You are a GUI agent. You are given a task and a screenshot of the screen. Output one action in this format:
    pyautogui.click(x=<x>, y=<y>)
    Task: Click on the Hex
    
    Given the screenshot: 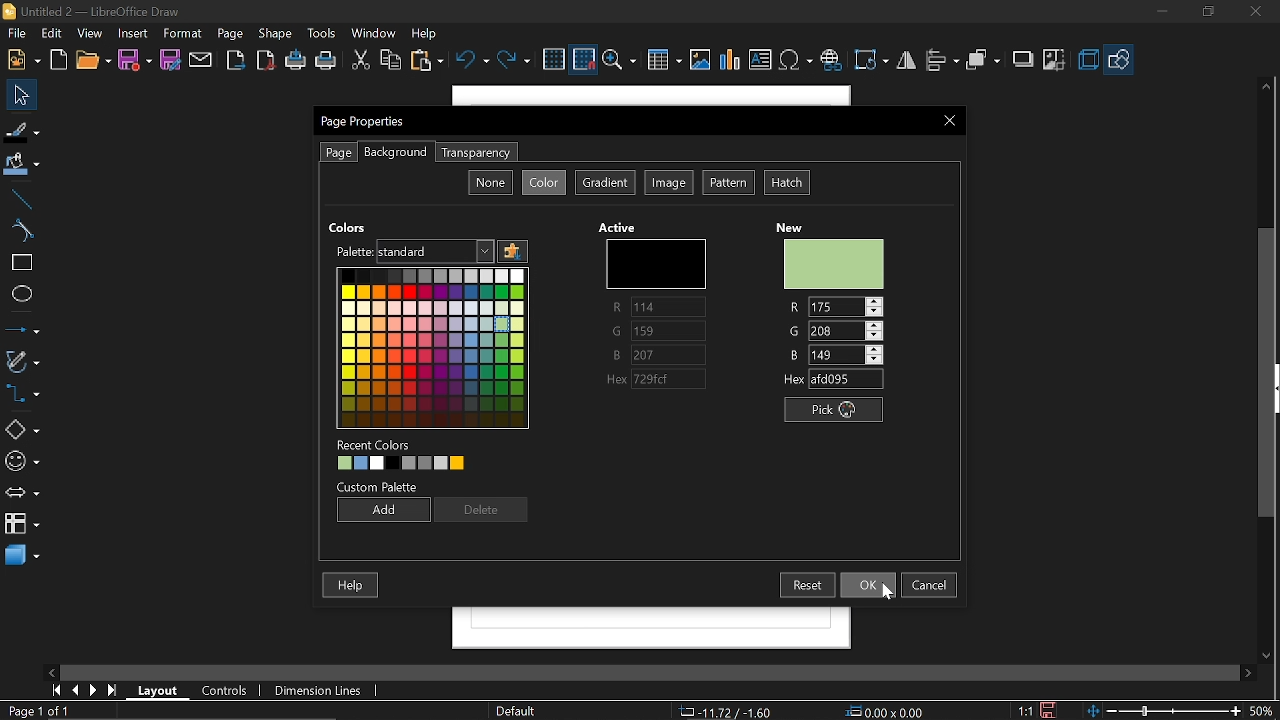 What is the action you would take?
    pyautogui.click(x=660, y=380)
    